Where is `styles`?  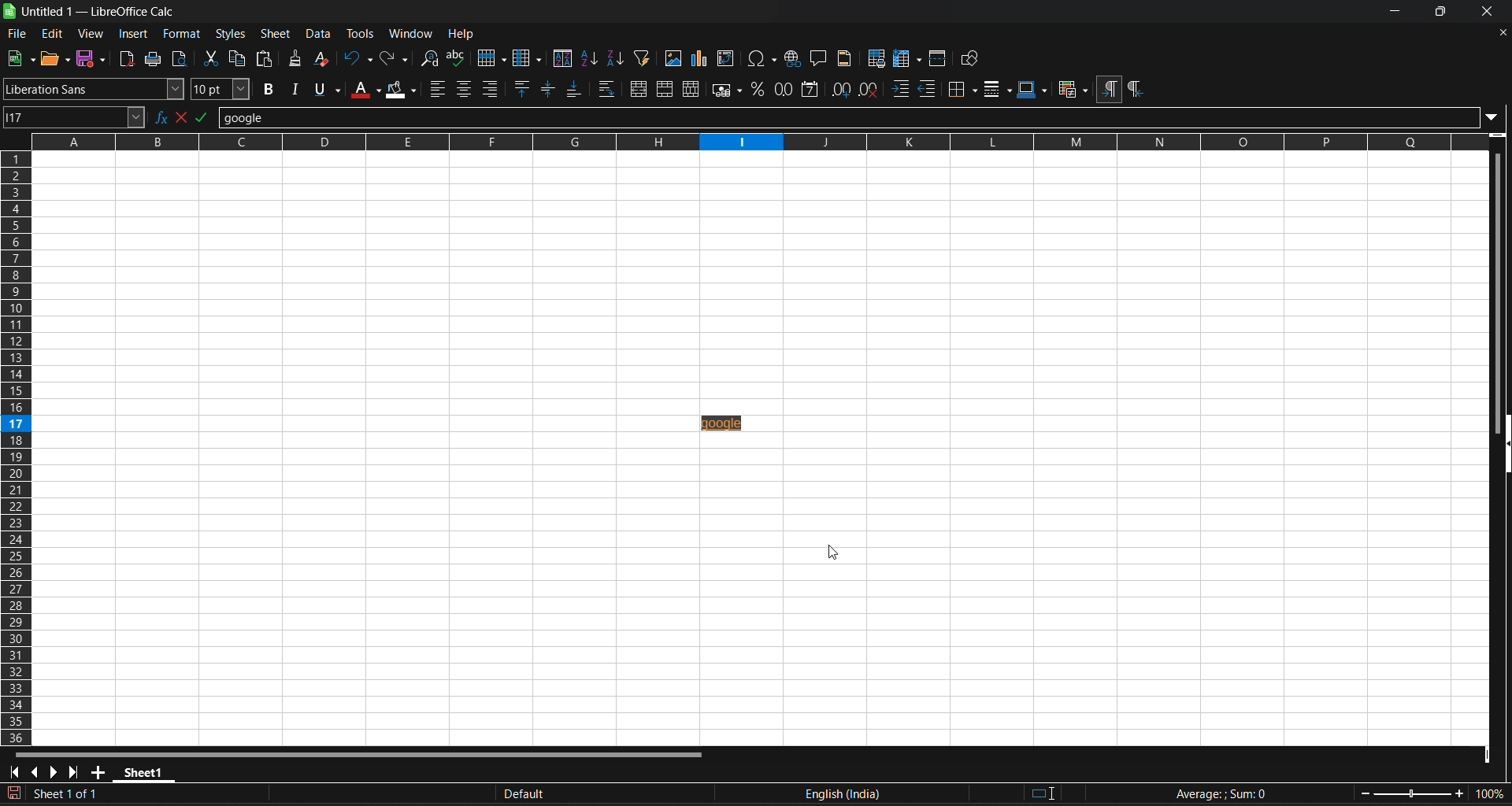
styles is located at coordinates (231, 34).